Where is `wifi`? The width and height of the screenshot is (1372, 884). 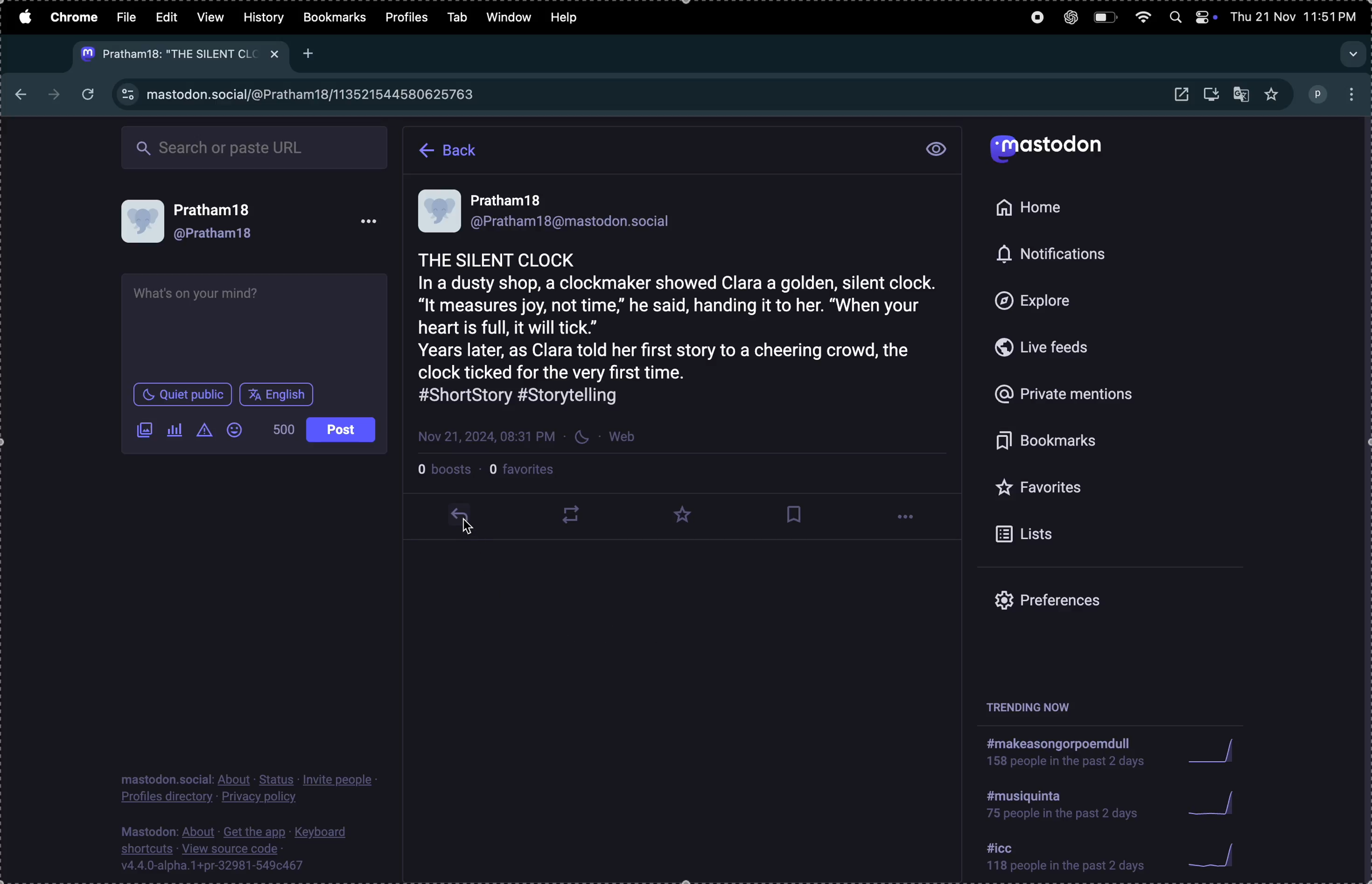 wifi is located at coordinates (1144, 18).